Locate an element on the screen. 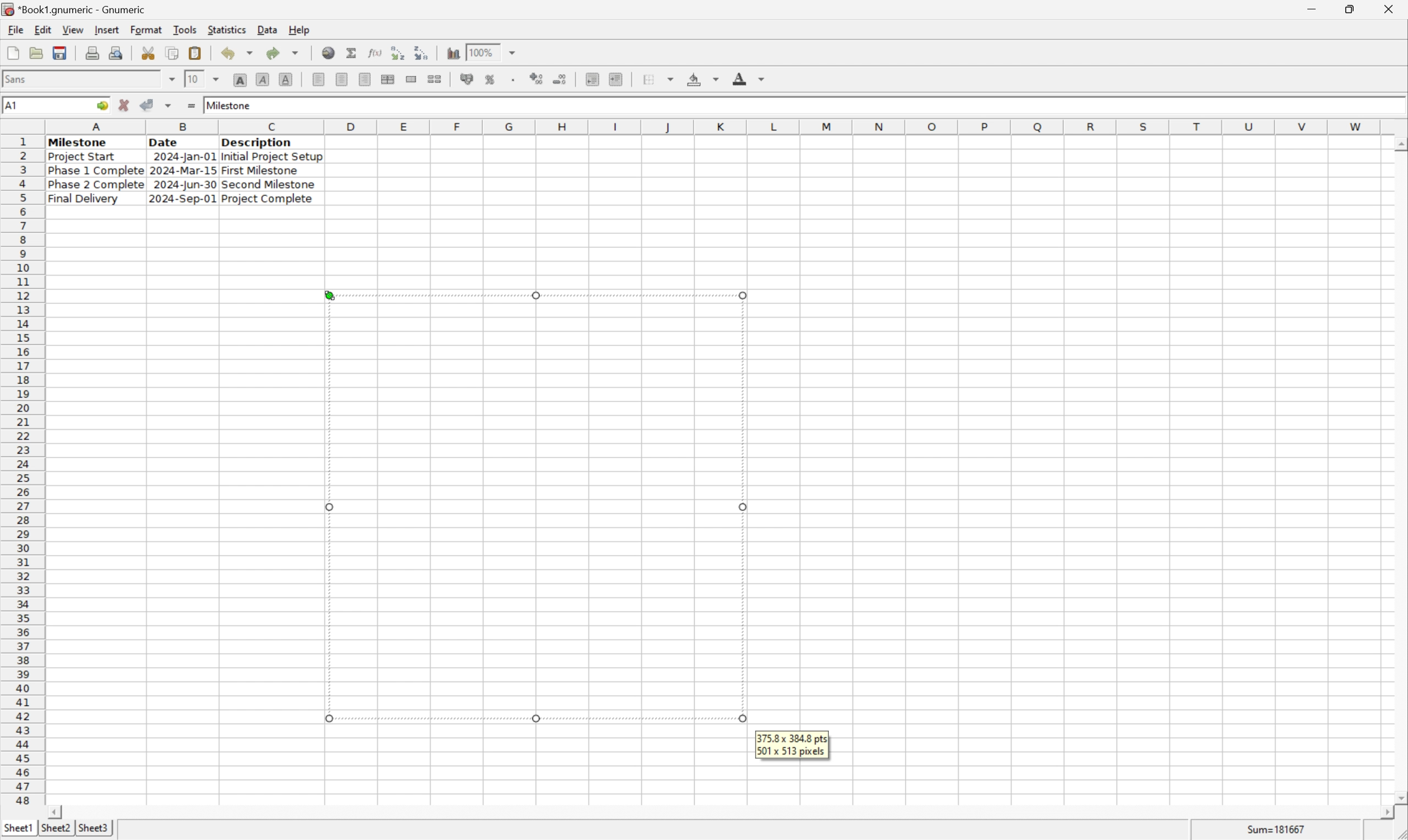  align left is located at coordinates (319, 80).